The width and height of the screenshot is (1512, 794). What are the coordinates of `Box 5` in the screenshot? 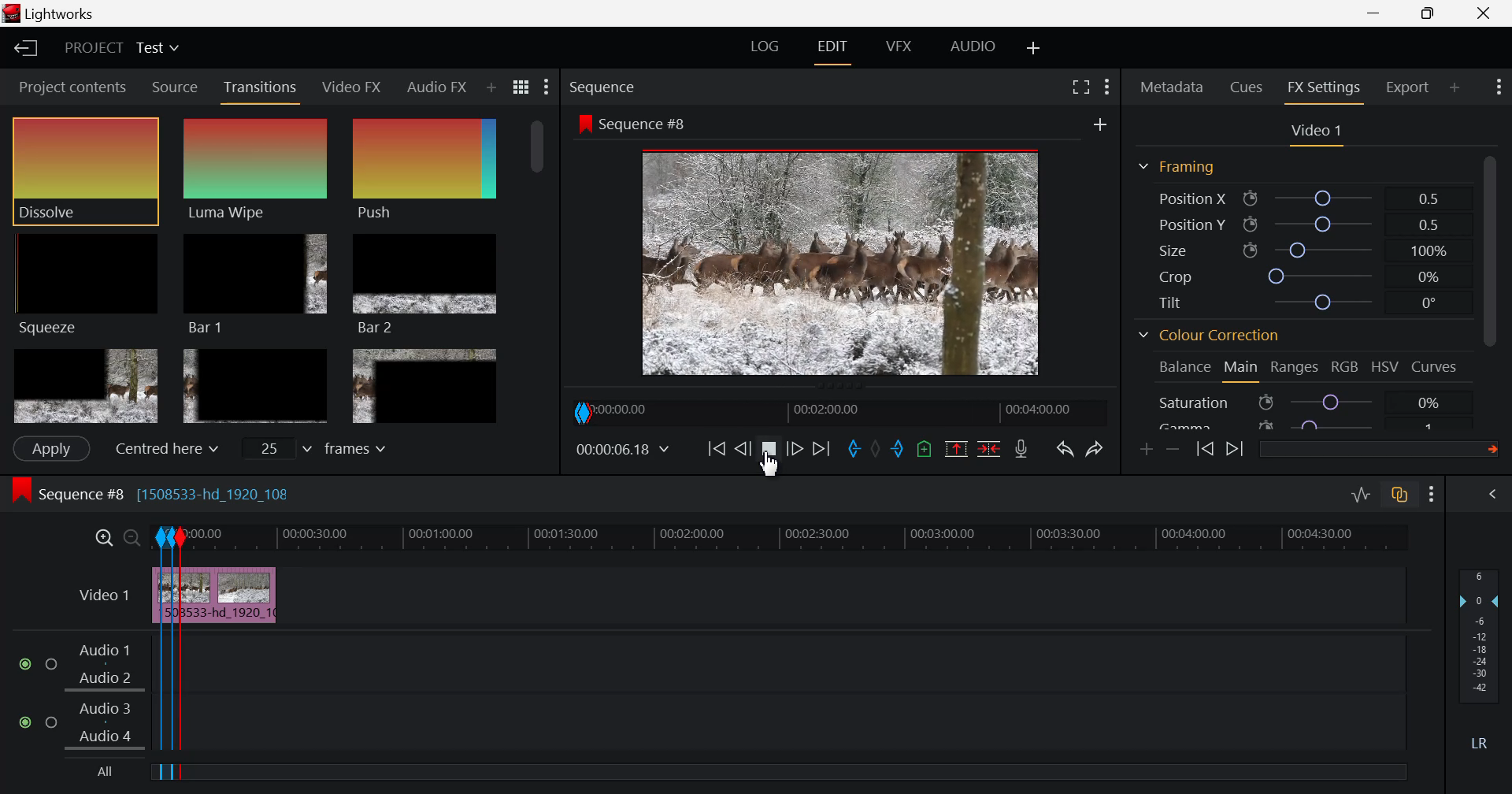 It's located at (256, 388).